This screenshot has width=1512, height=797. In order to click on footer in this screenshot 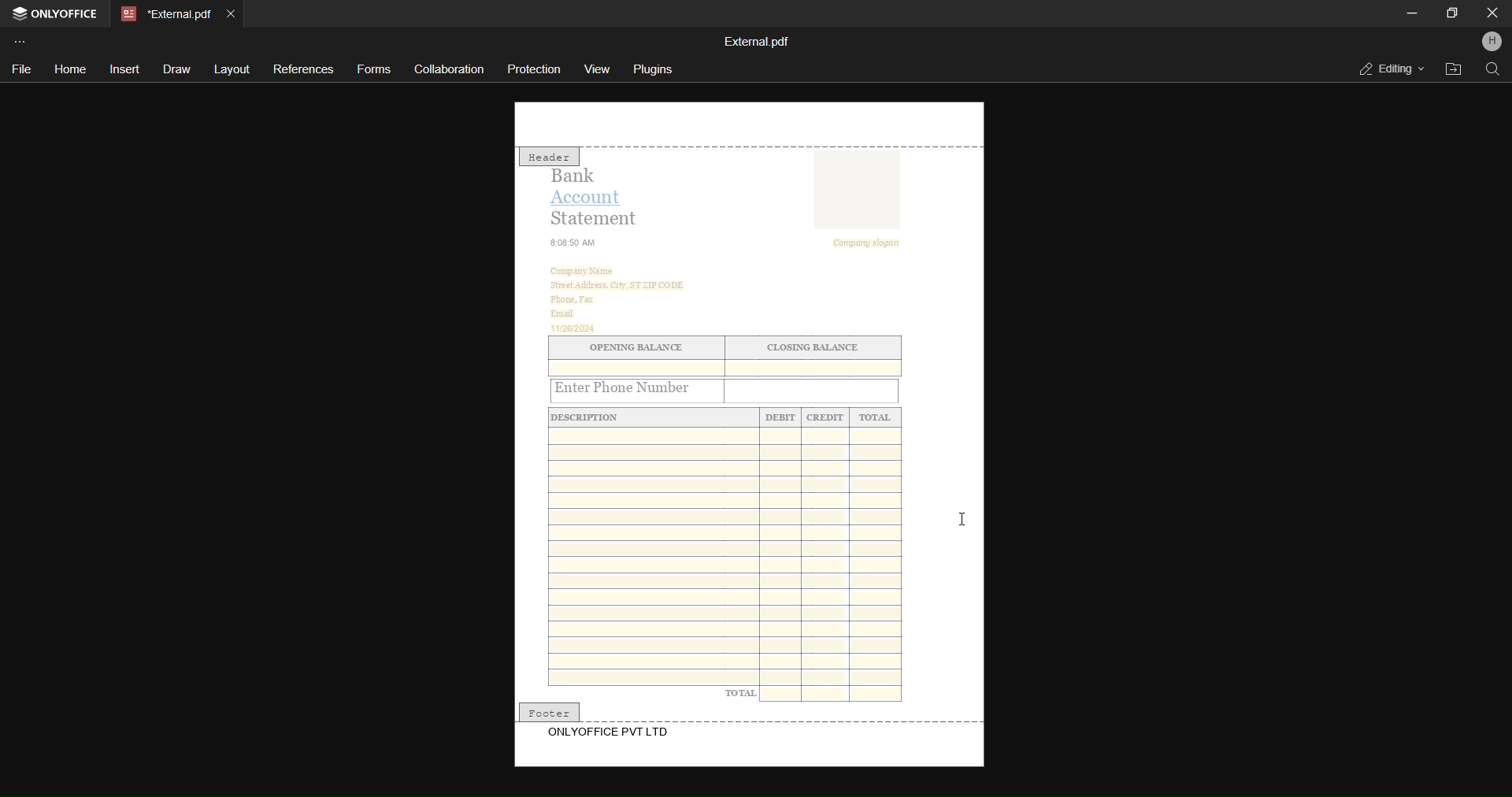, I will do `click(549, 710)`.